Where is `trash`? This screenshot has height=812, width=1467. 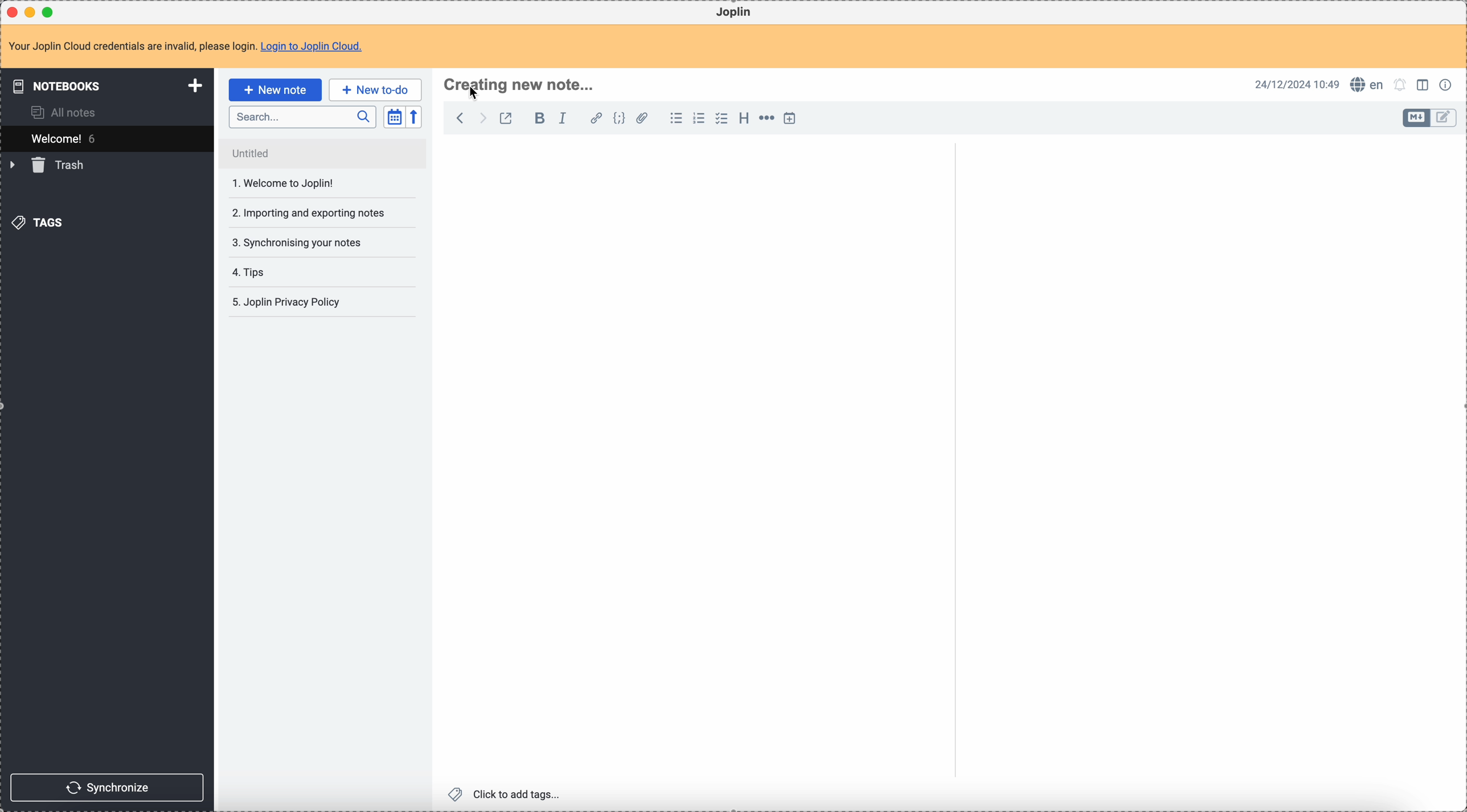 trash is located at coordinates (50, 166).